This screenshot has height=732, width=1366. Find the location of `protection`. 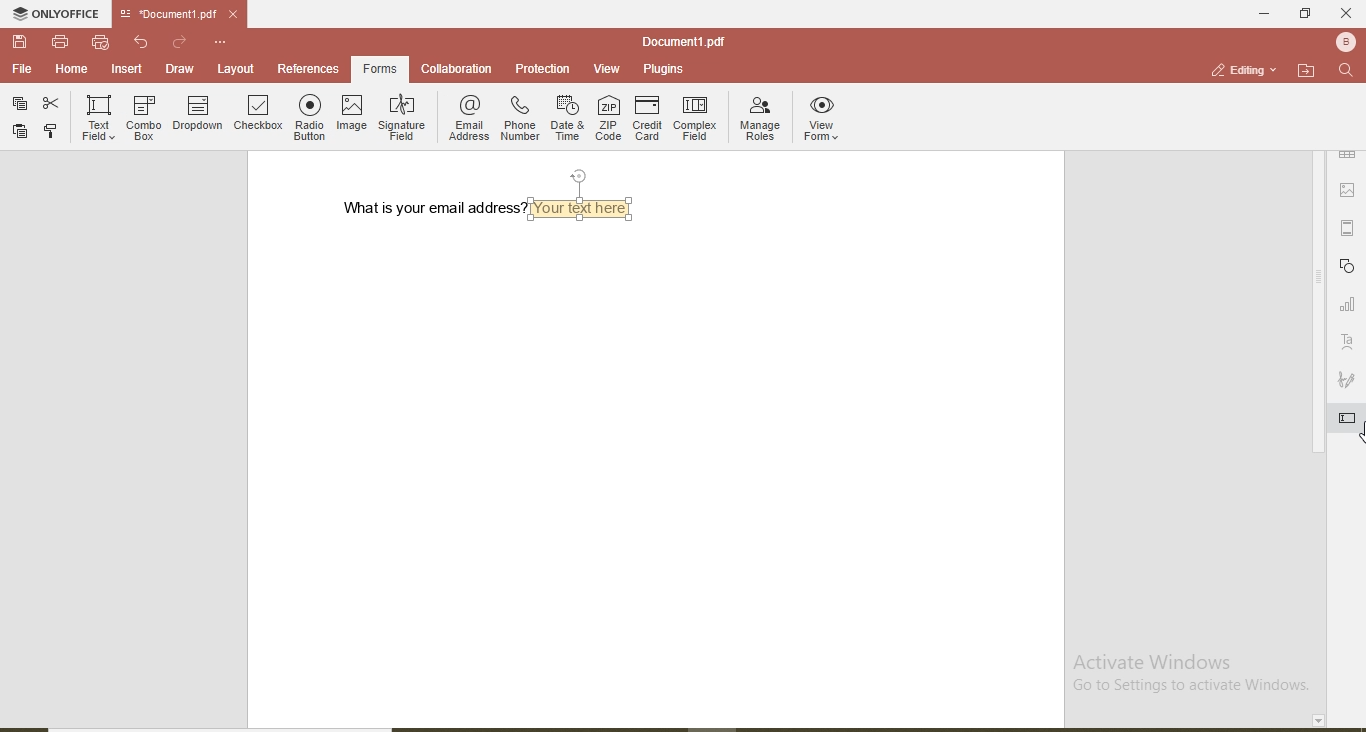

protection is located at coordinates (541, 69).